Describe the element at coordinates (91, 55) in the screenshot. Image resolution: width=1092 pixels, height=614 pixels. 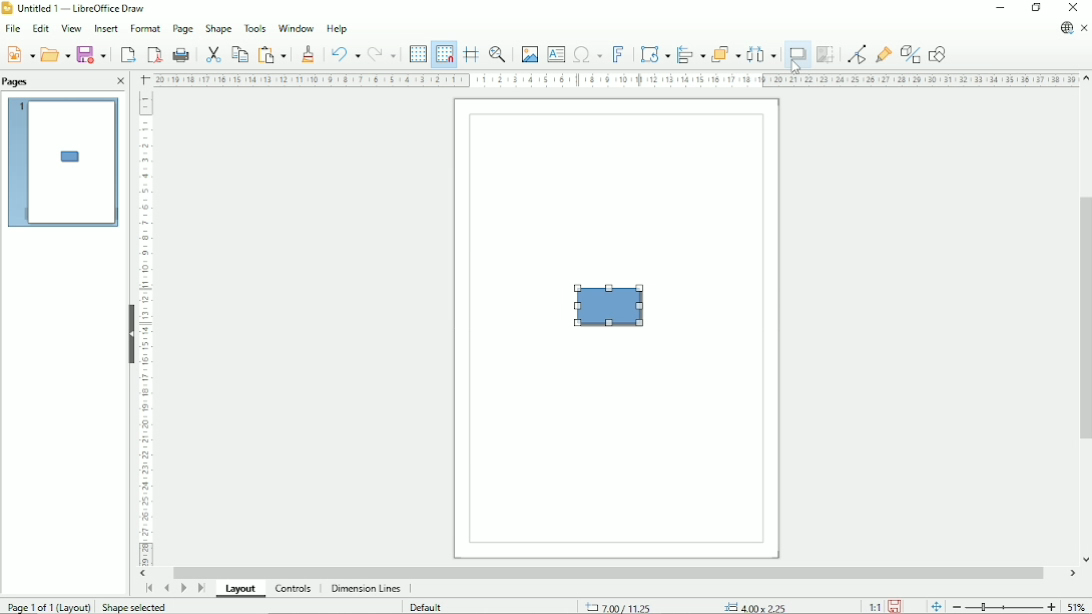
I see `Save` at that location.